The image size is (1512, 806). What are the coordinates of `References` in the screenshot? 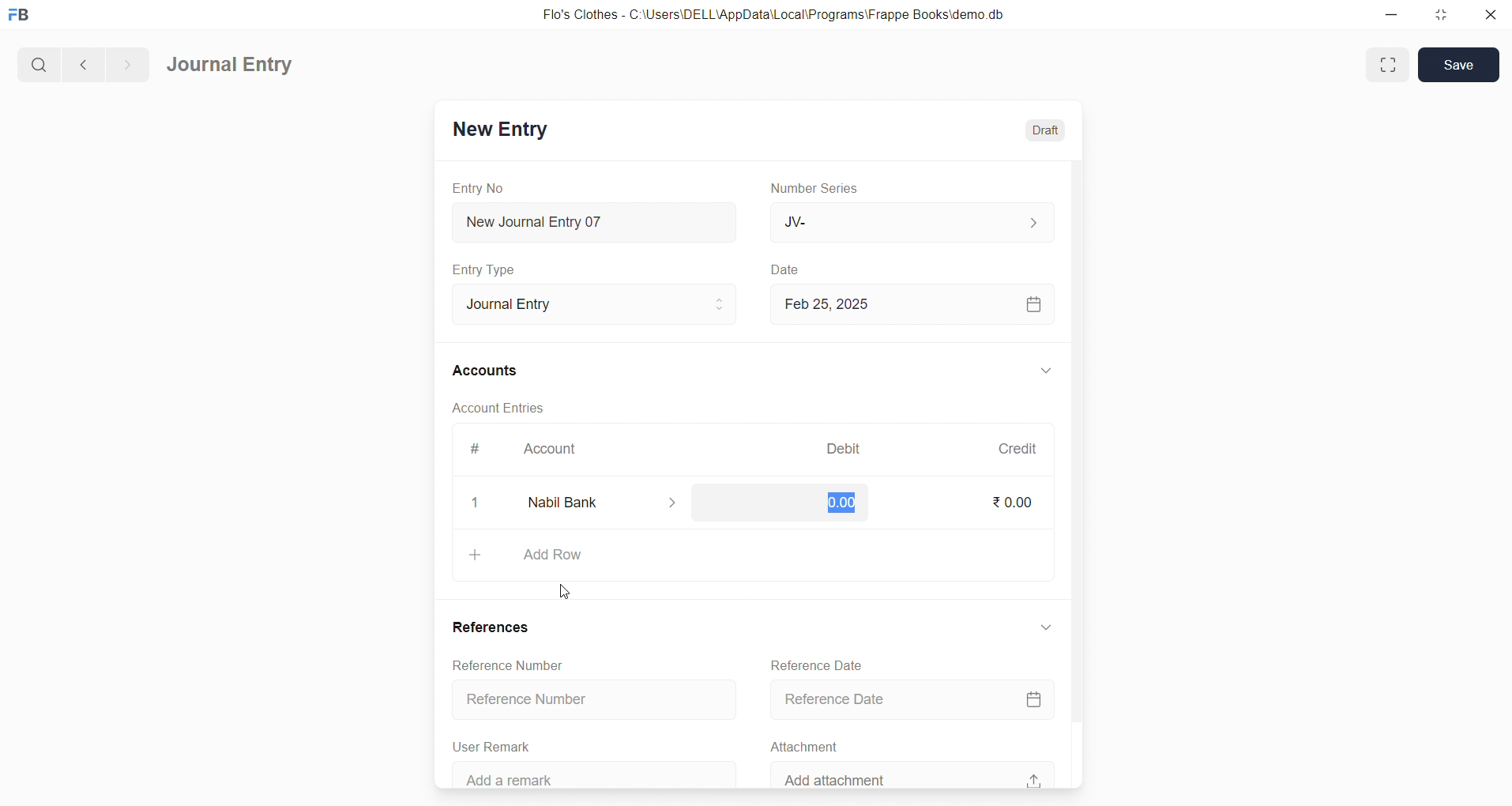 It's located at (495, 627).